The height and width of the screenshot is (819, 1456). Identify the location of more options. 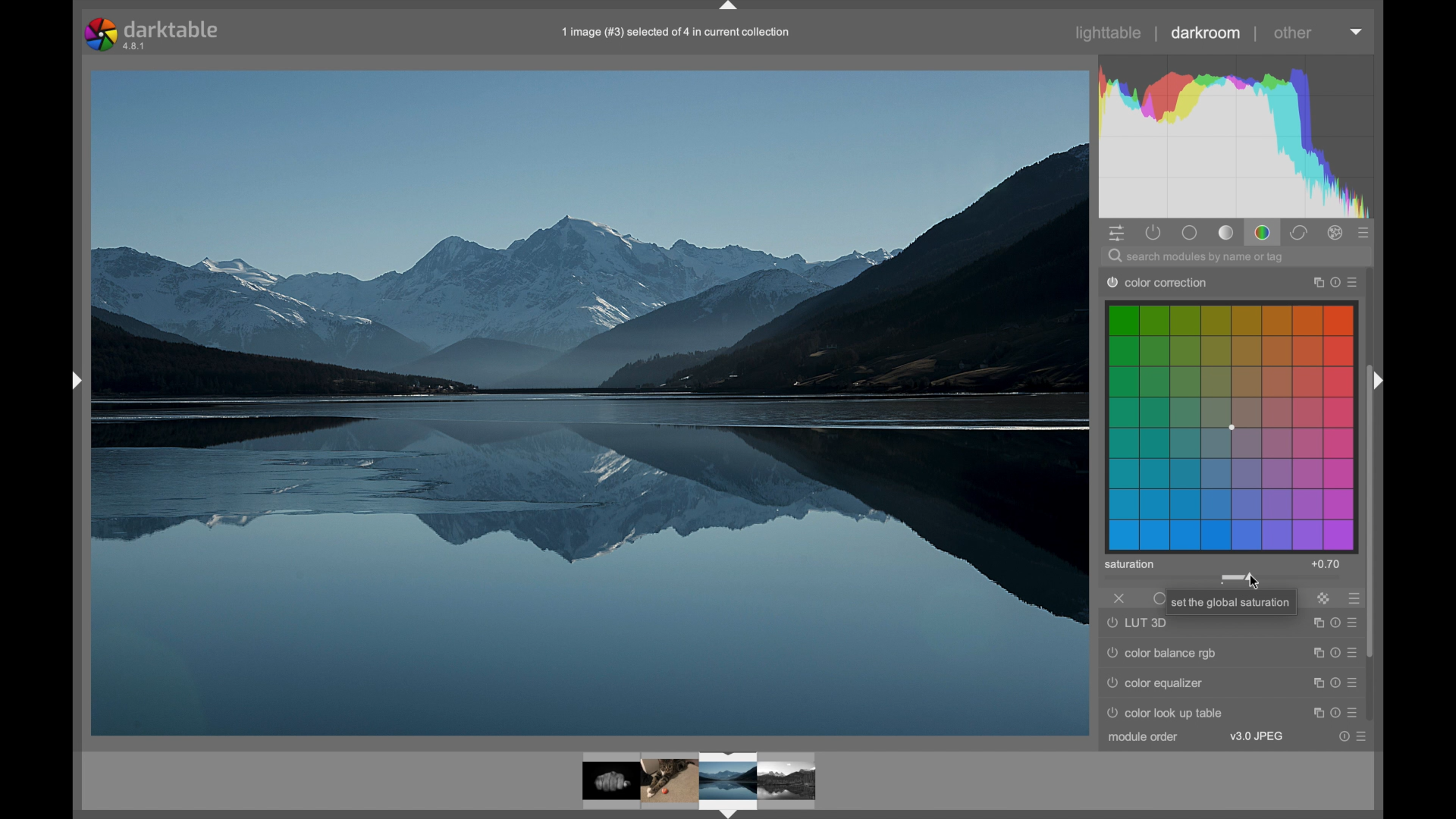
(1355, 599).